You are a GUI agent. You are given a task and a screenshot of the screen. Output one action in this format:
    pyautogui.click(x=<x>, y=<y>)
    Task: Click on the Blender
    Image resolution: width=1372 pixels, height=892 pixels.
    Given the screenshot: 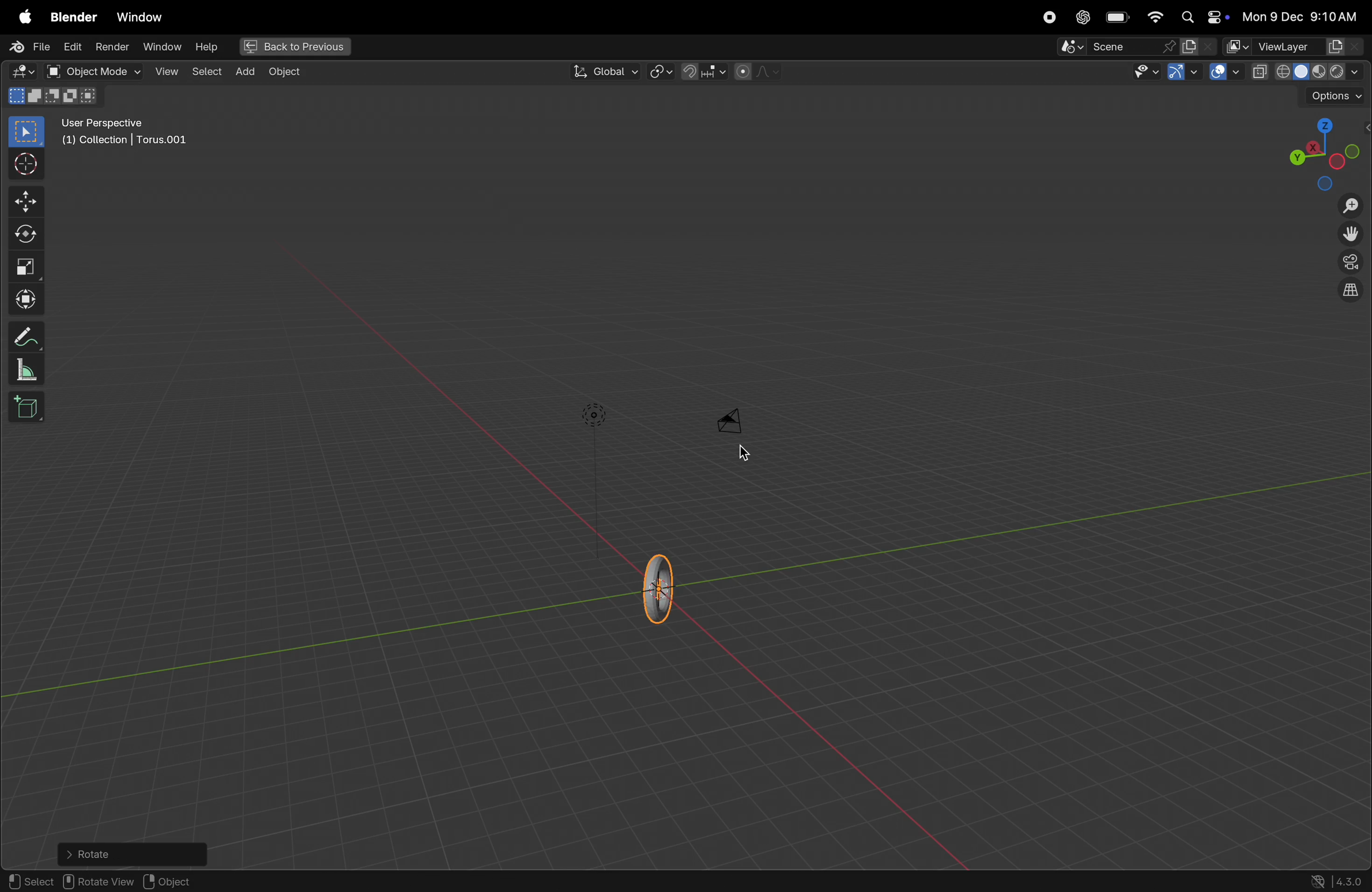 What is the action you would take?
    pyautogui.click(x=70, y=16)
    